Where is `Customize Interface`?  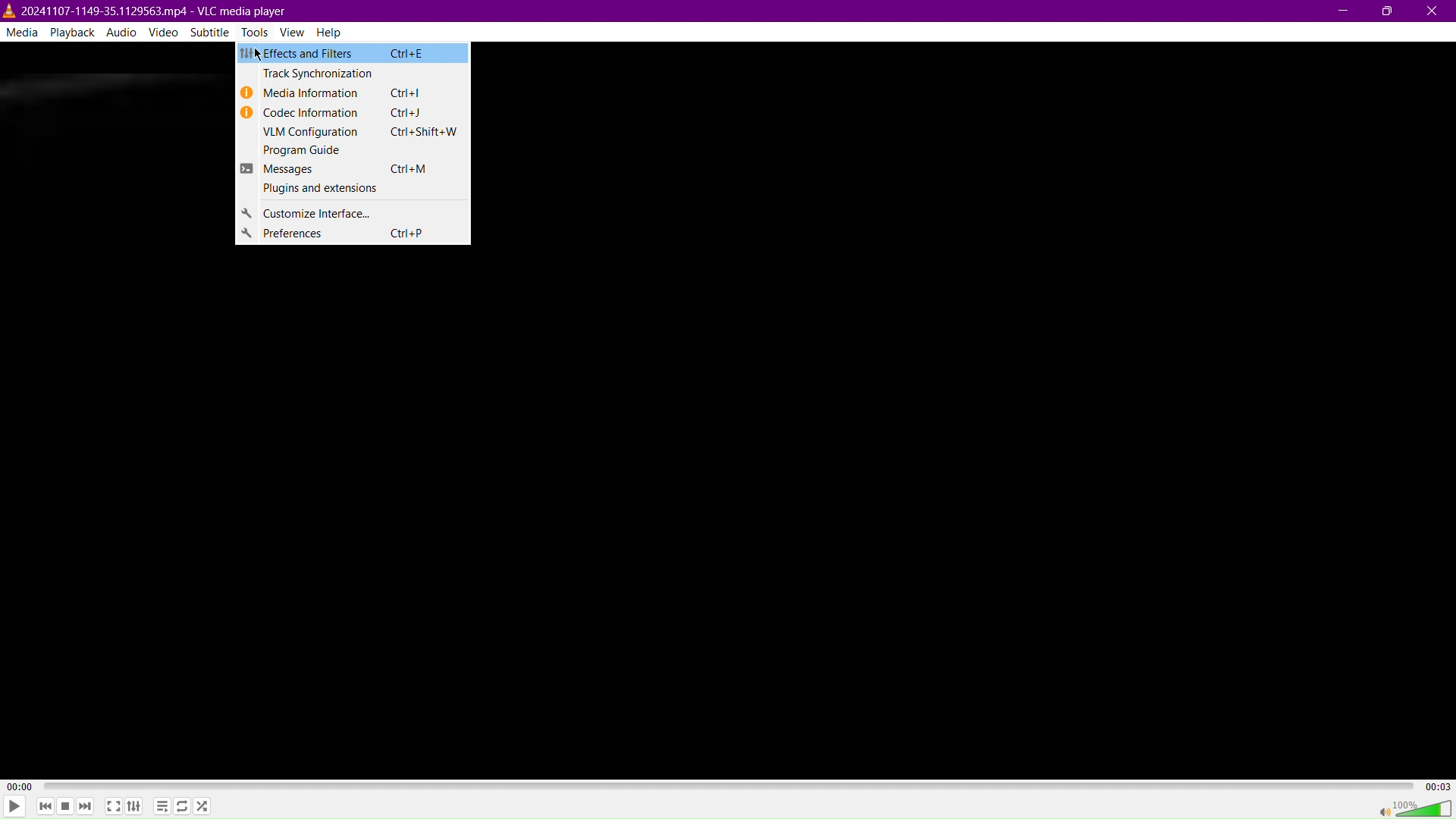 Customize Interface is located at coordinates (354, 212).